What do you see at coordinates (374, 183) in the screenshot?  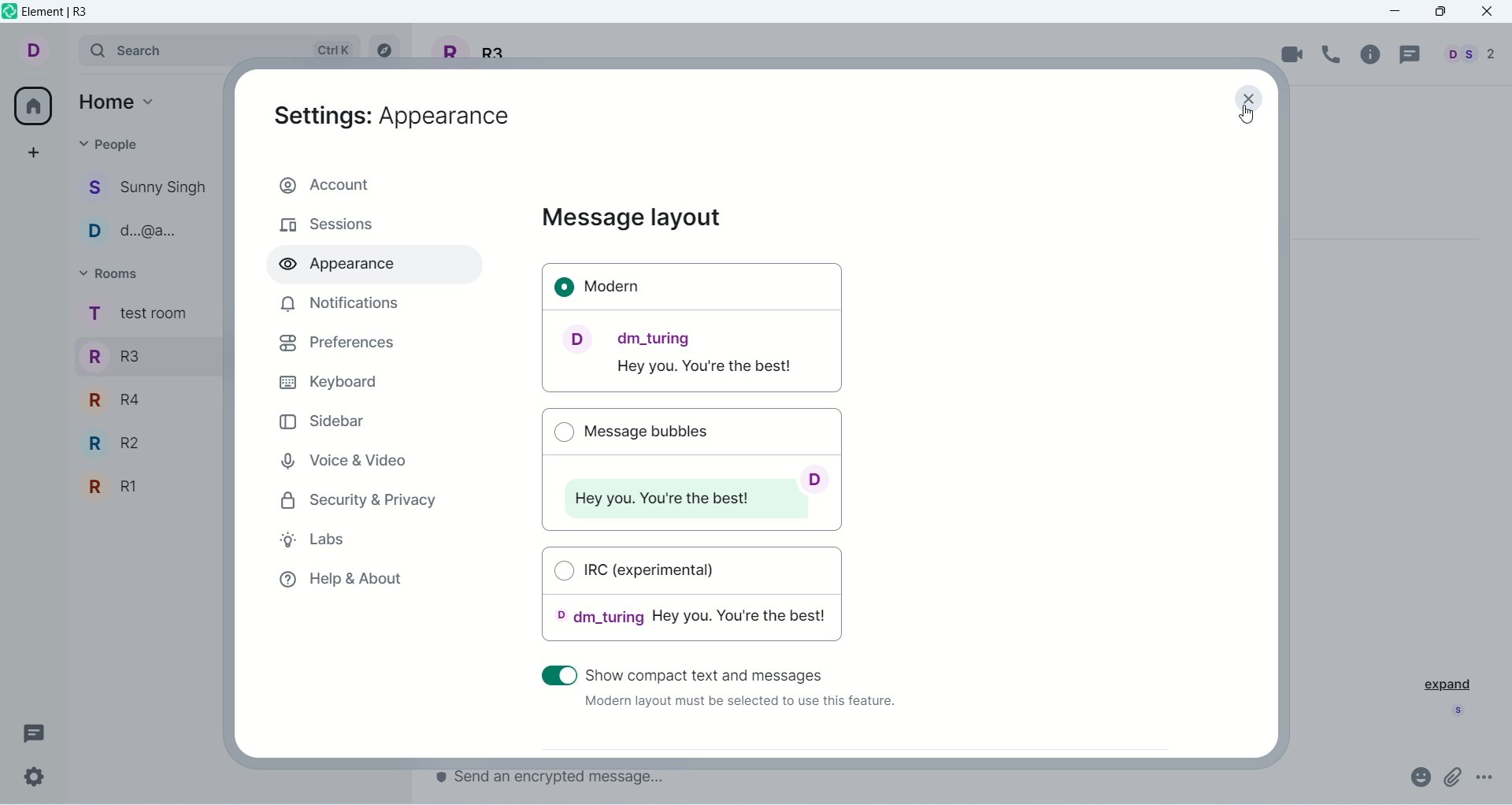 I see `account` at bounding box center [374, 183].